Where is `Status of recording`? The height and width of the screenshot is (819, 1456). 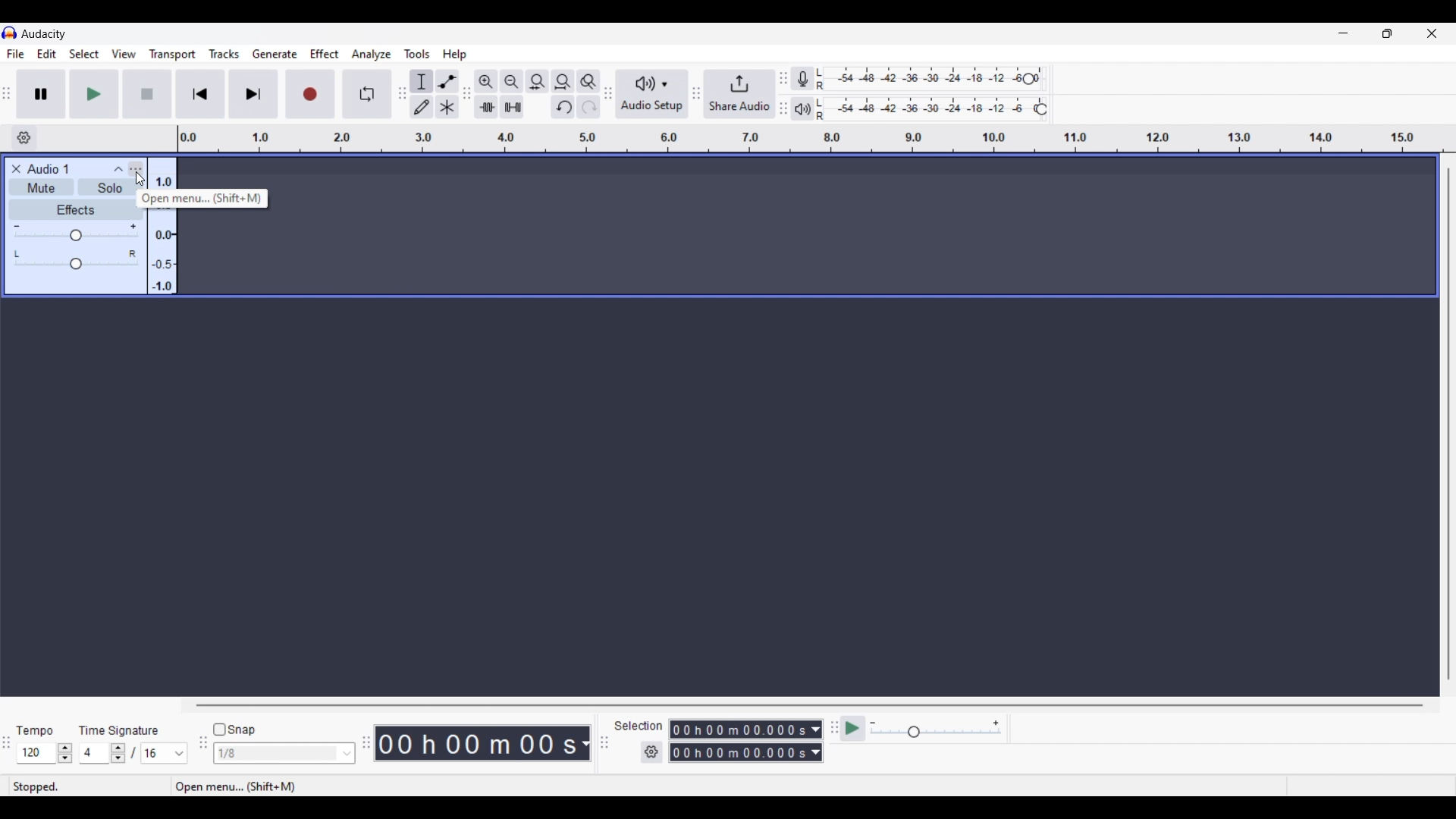 Status of recording is located at coordinates (74, 787).